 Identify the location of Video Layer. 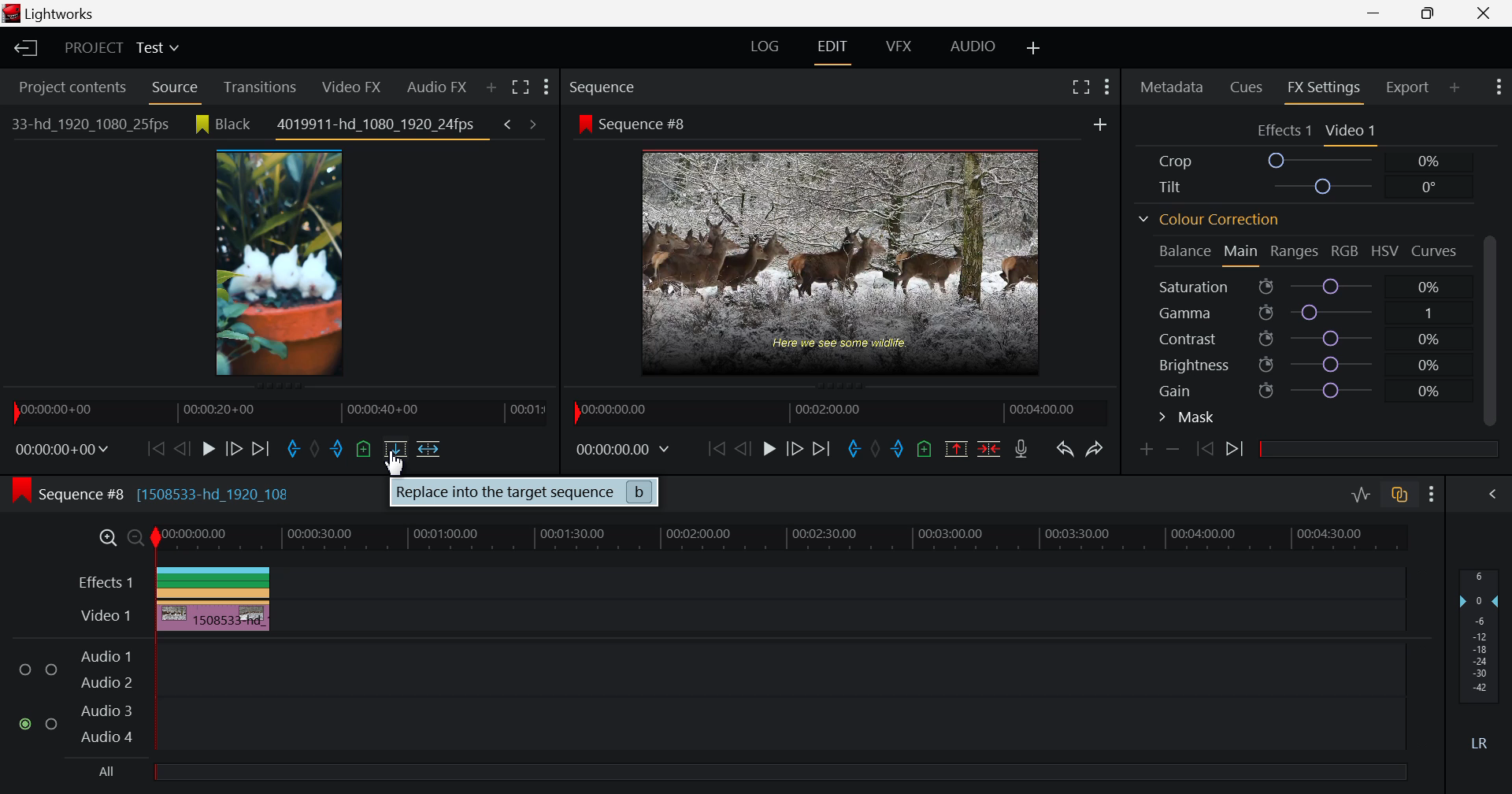
(731, 615).